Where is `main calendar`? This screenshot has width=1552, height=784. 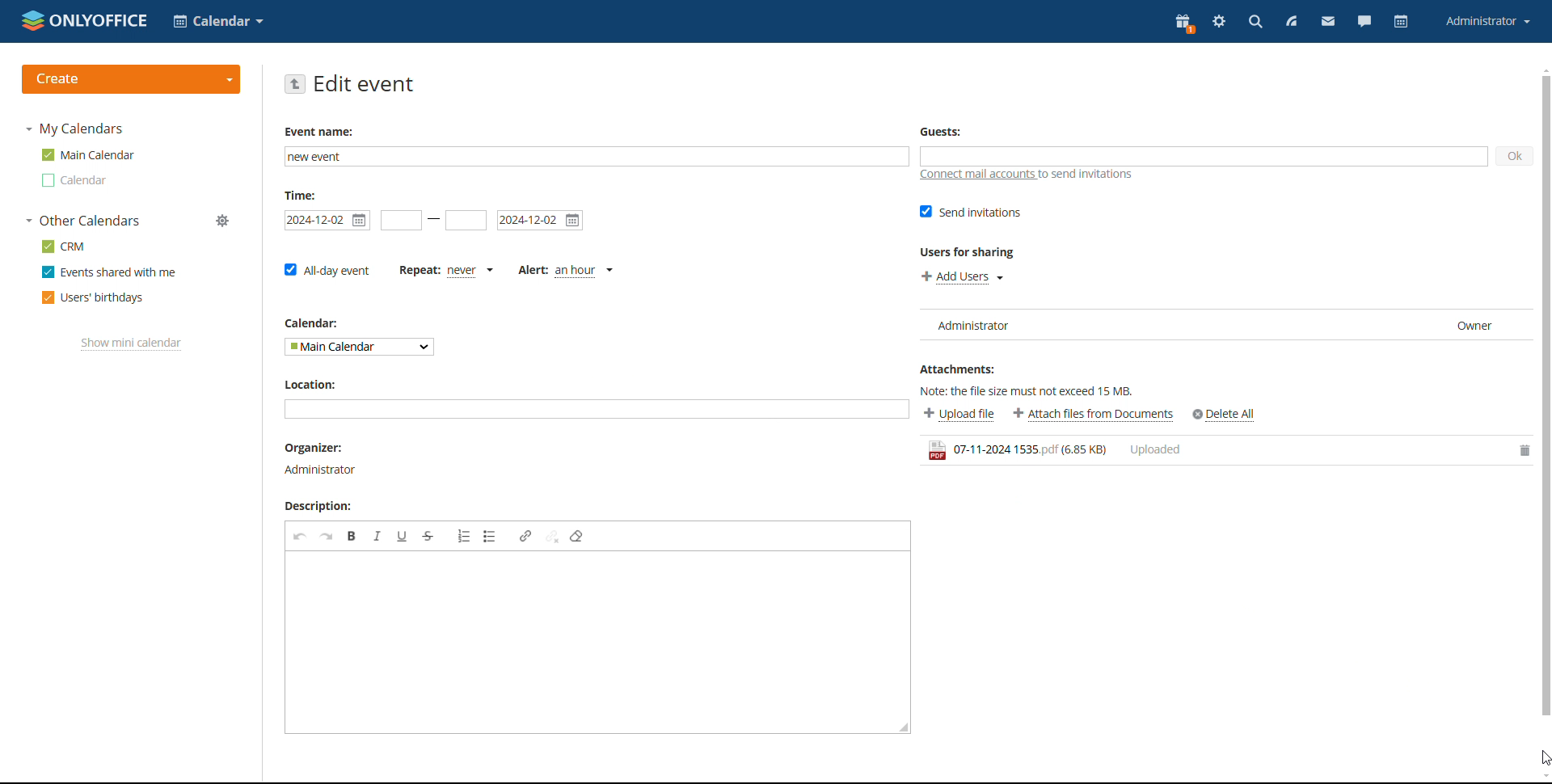 main calendar is located at coordinates (88, 155).